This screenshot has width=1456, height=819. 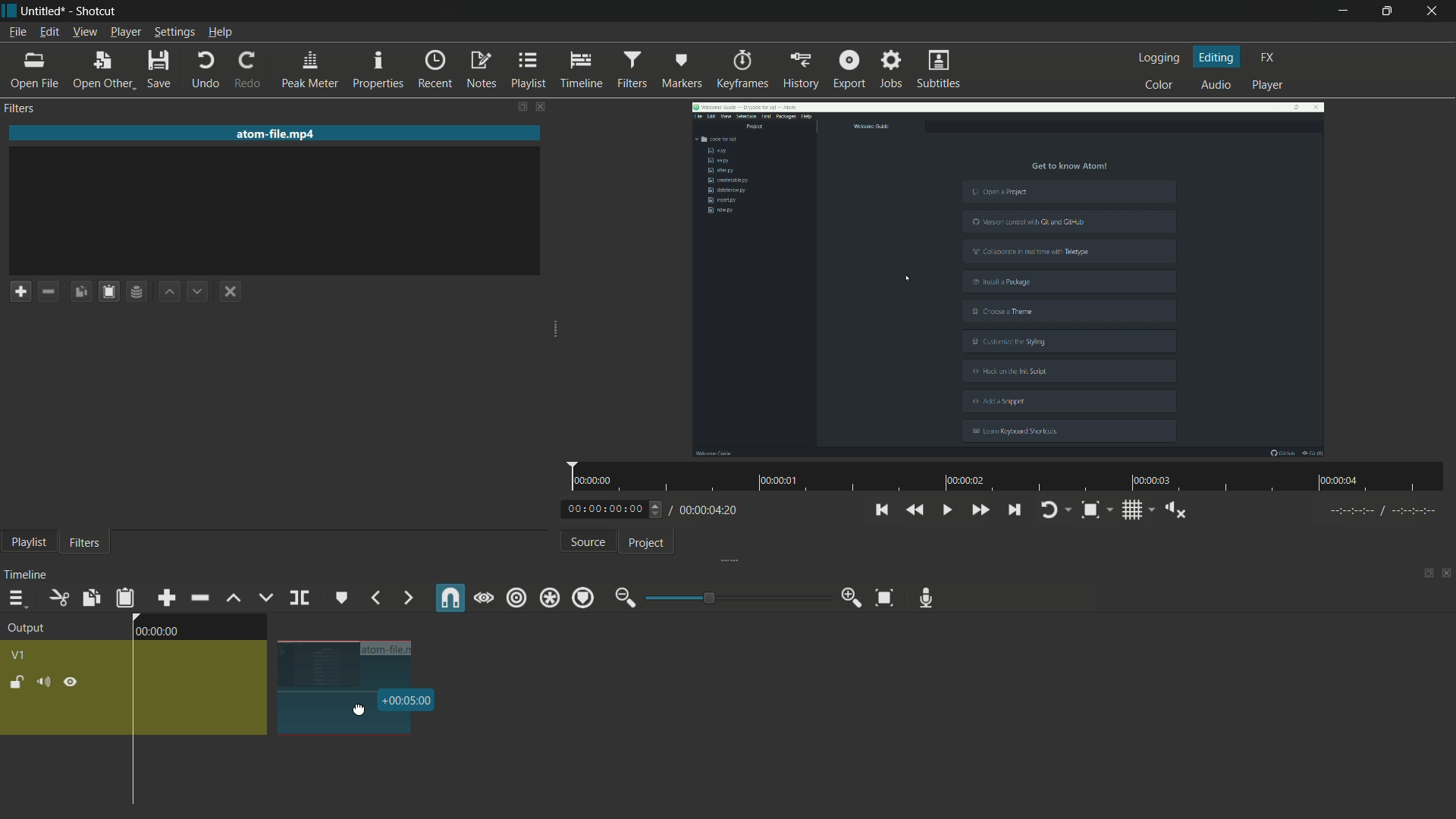 What do you see at coordinates (378, 68) in the screenshot?
I see `properties` at bounding box center [378, 68].